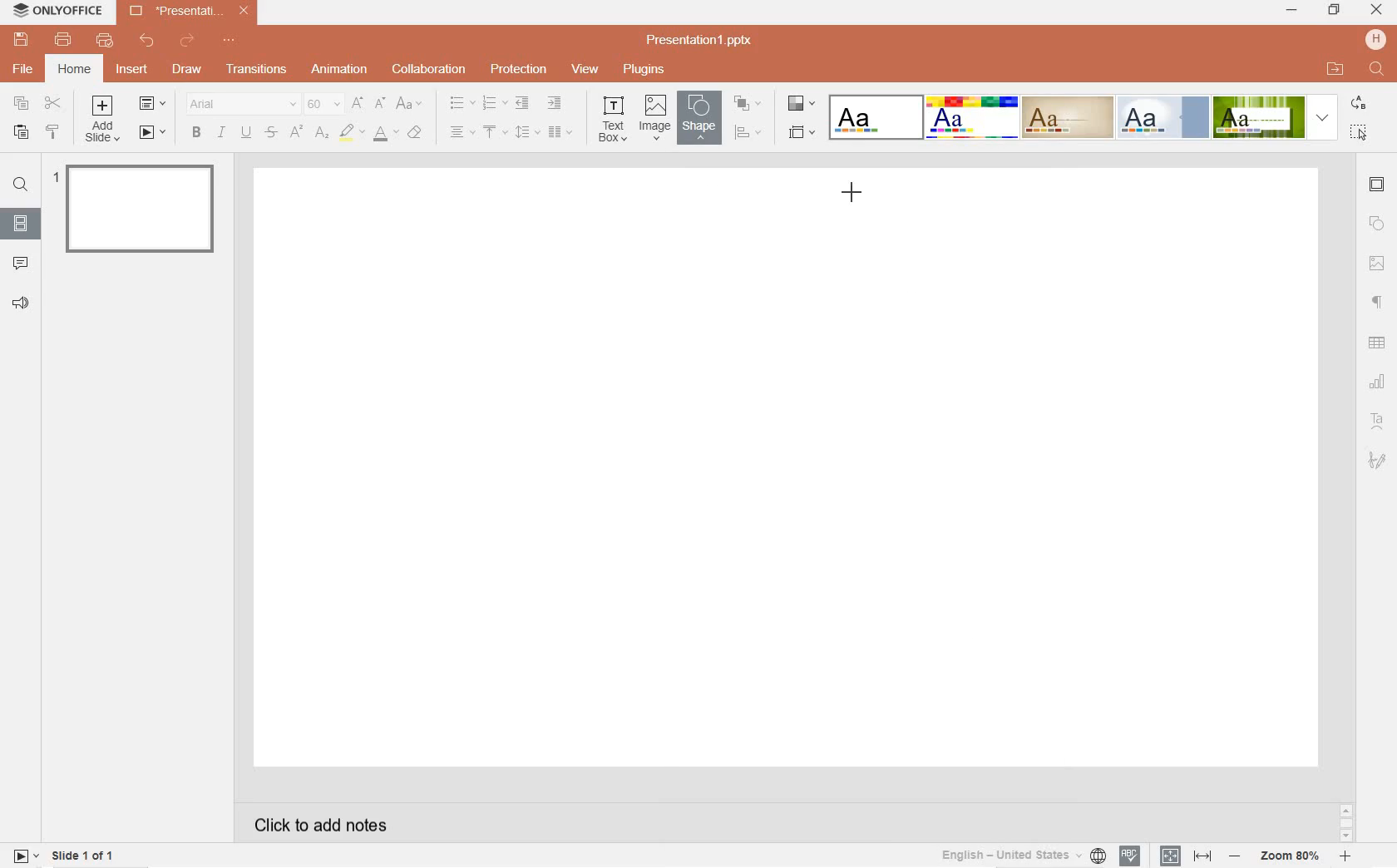 This screenshot has height=868, width=1397. Describe the element at coordinates (496, 133) in the screenshot. I see `vertical align` at that location.